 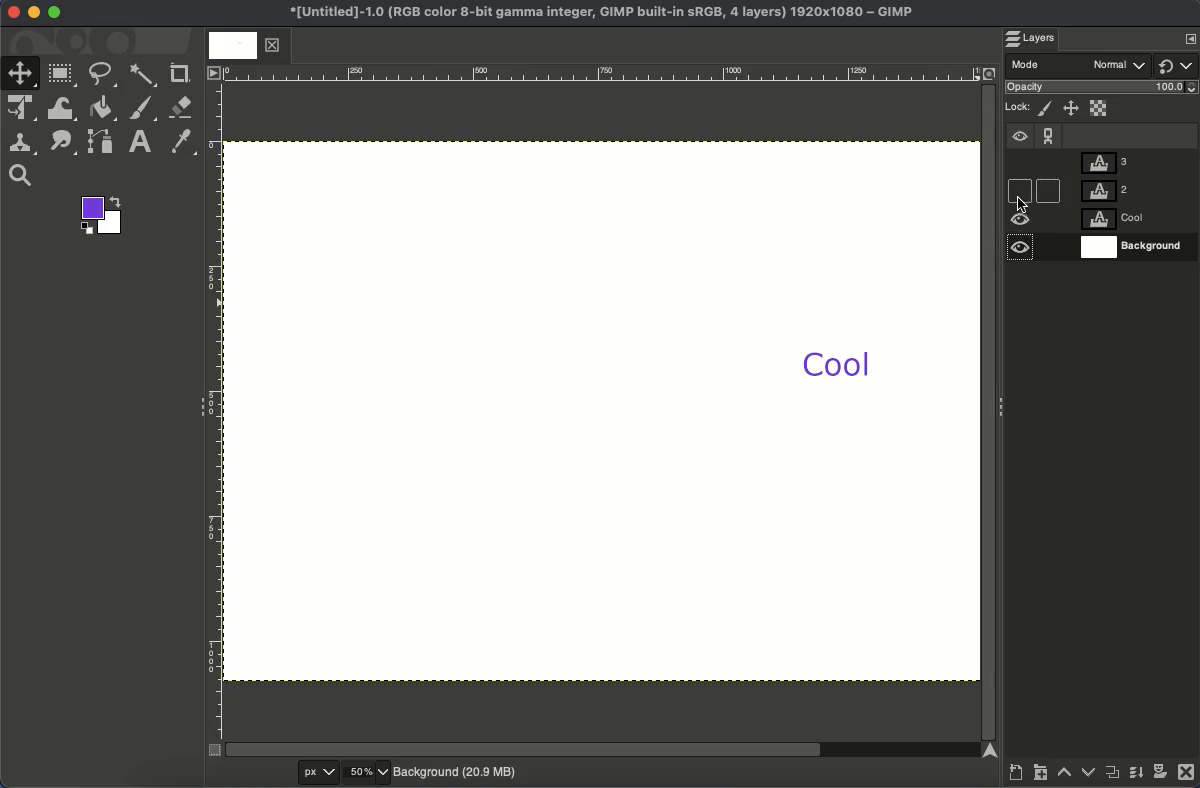 What do you see at coordinates (366, 772) in the screenshot?
I see `50%` at bounding box center [366, 772].